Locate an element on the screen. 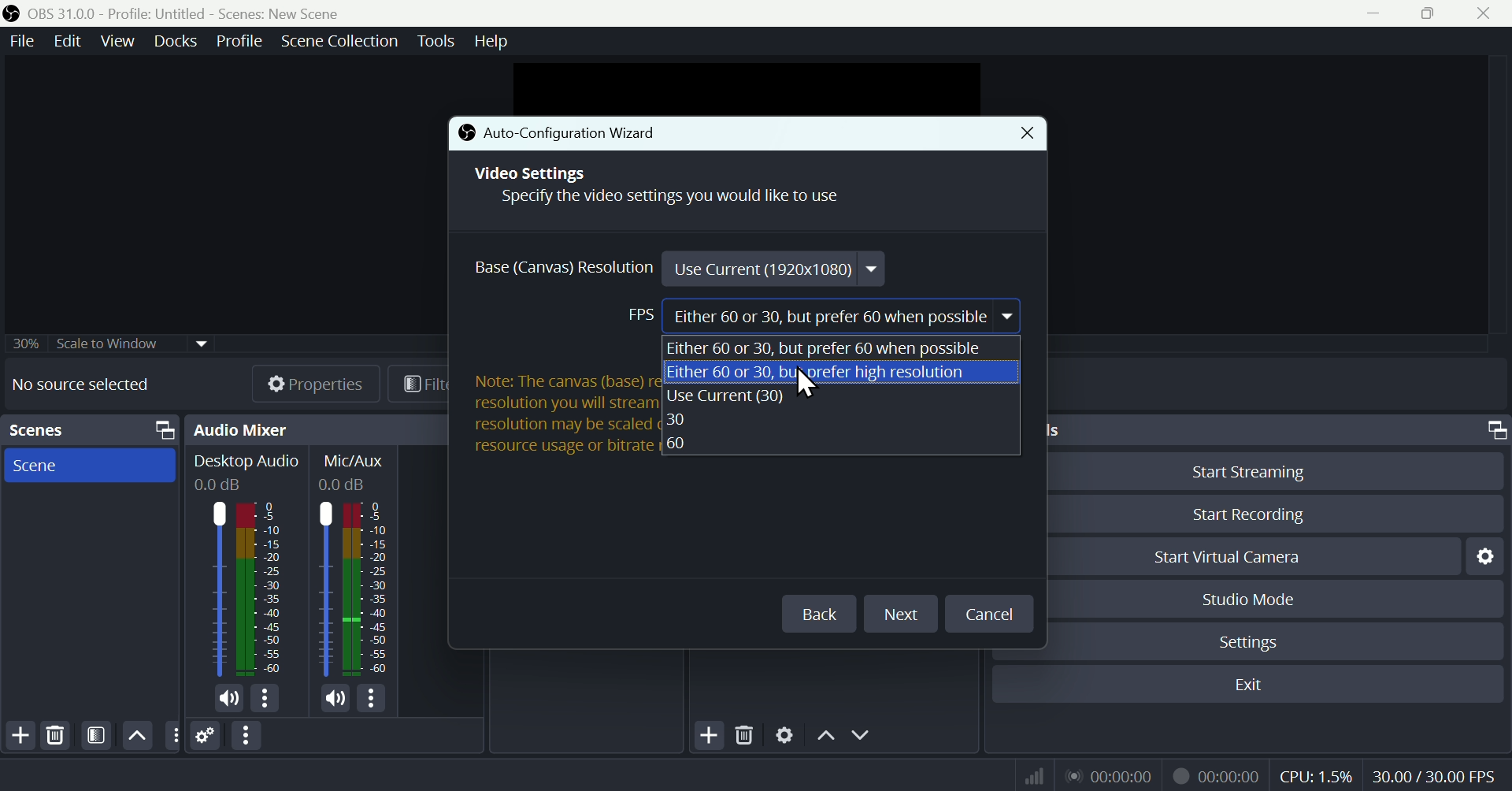 Image resolution: width=1512 pixels, height=791 pixels. Up is located at coordinates (137, 735).